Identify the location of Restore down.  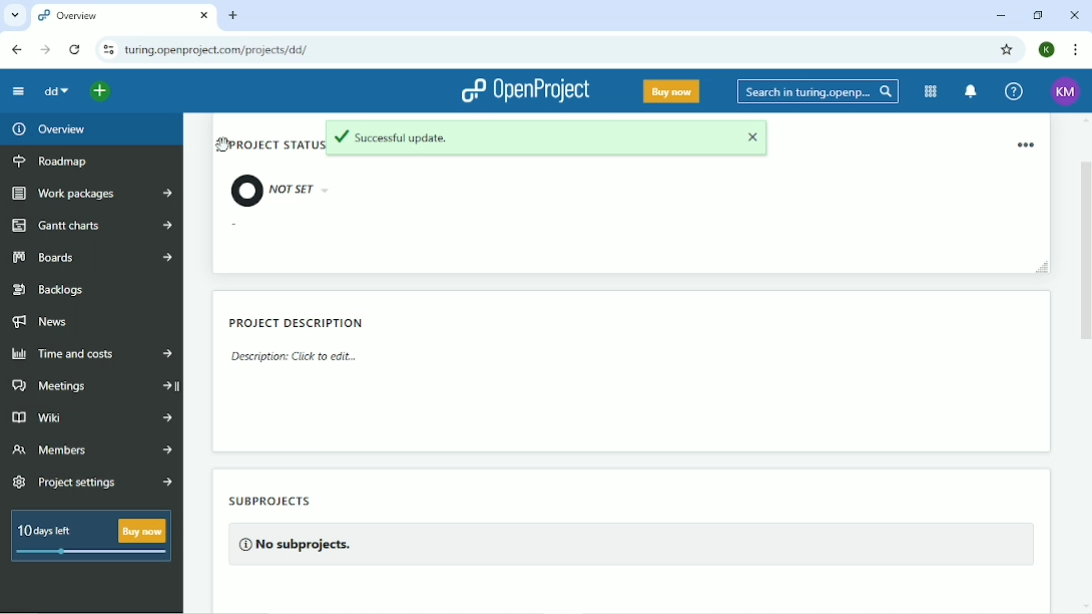
(1037, 15).